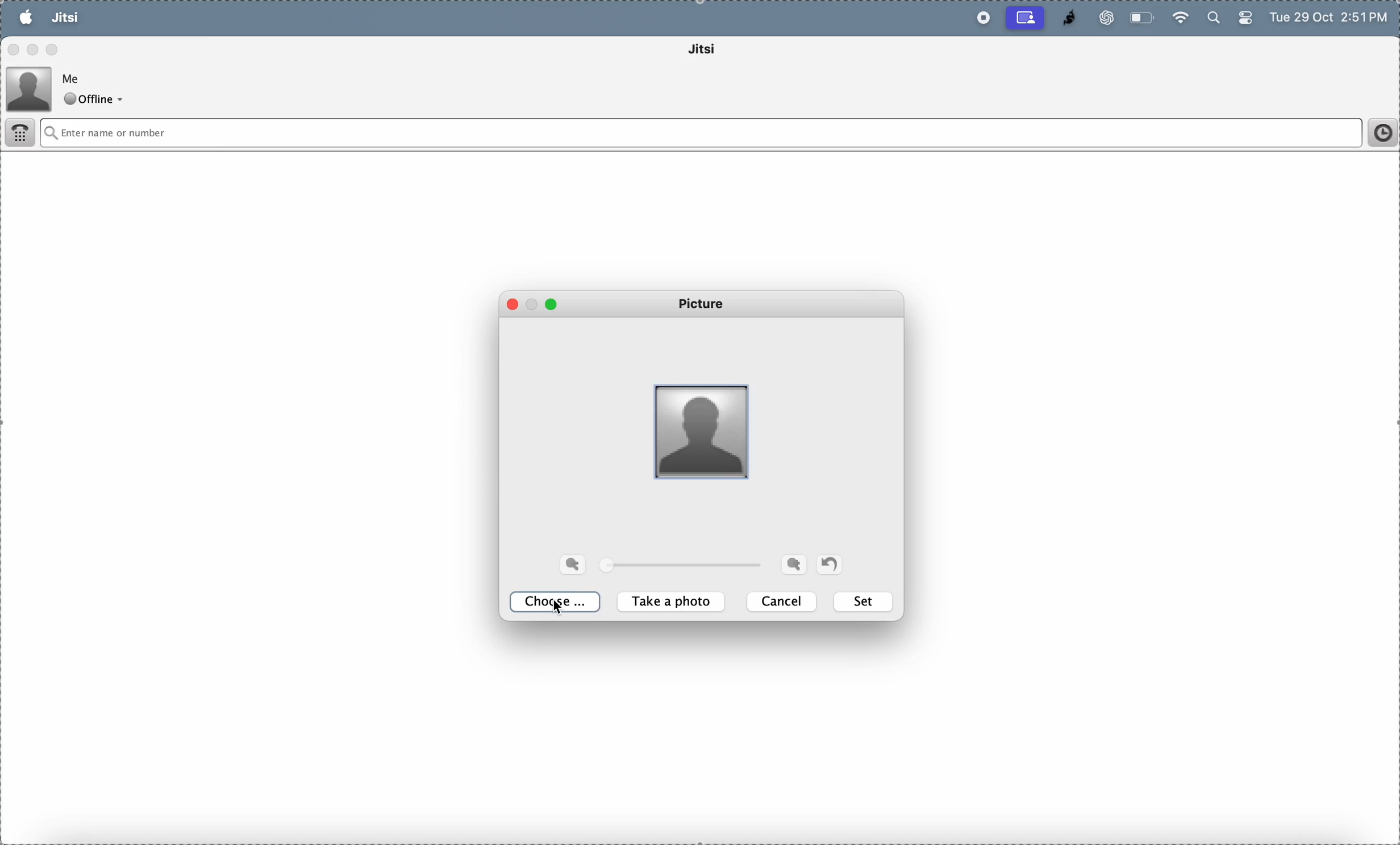  Describe the element at coordinates (65, 19) in the screenshot. I see `jitsi menu` at that location.